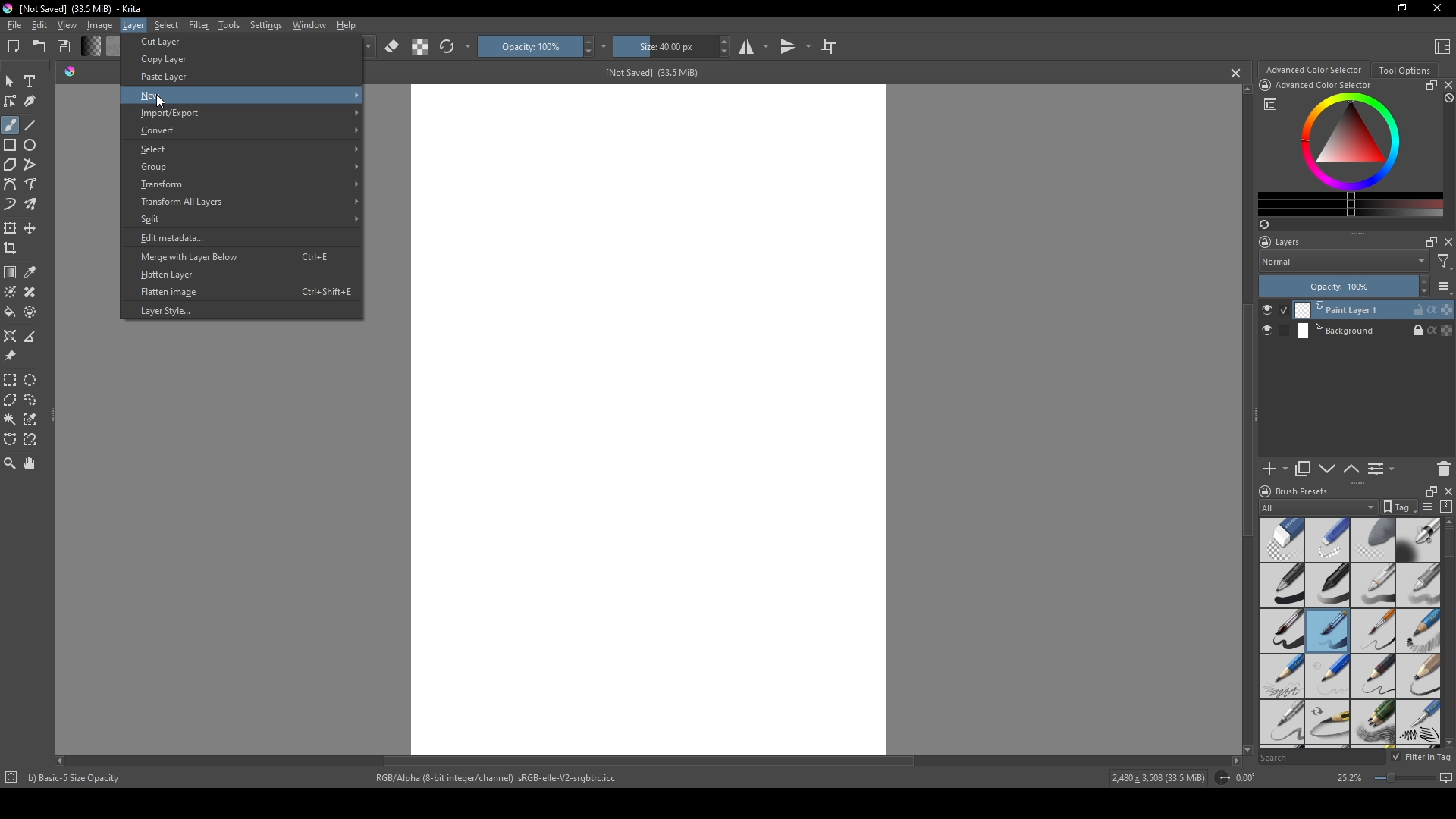 The height and width of the screenshot is (819, 1456). I want to click on sharp pencil, so click(1281, 723).